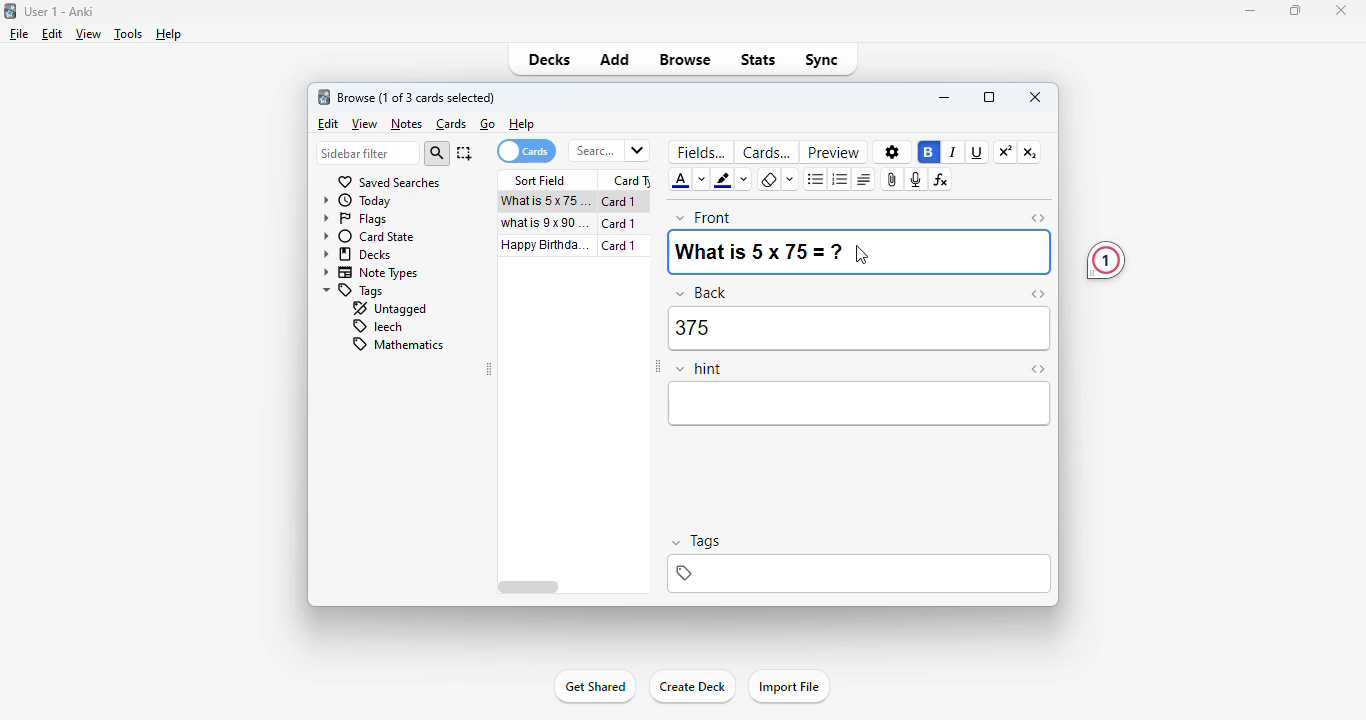 The image size is (1366, 720). Describe the element at coordinates (702, 181) in the screenshot. I see `change color` at that location.